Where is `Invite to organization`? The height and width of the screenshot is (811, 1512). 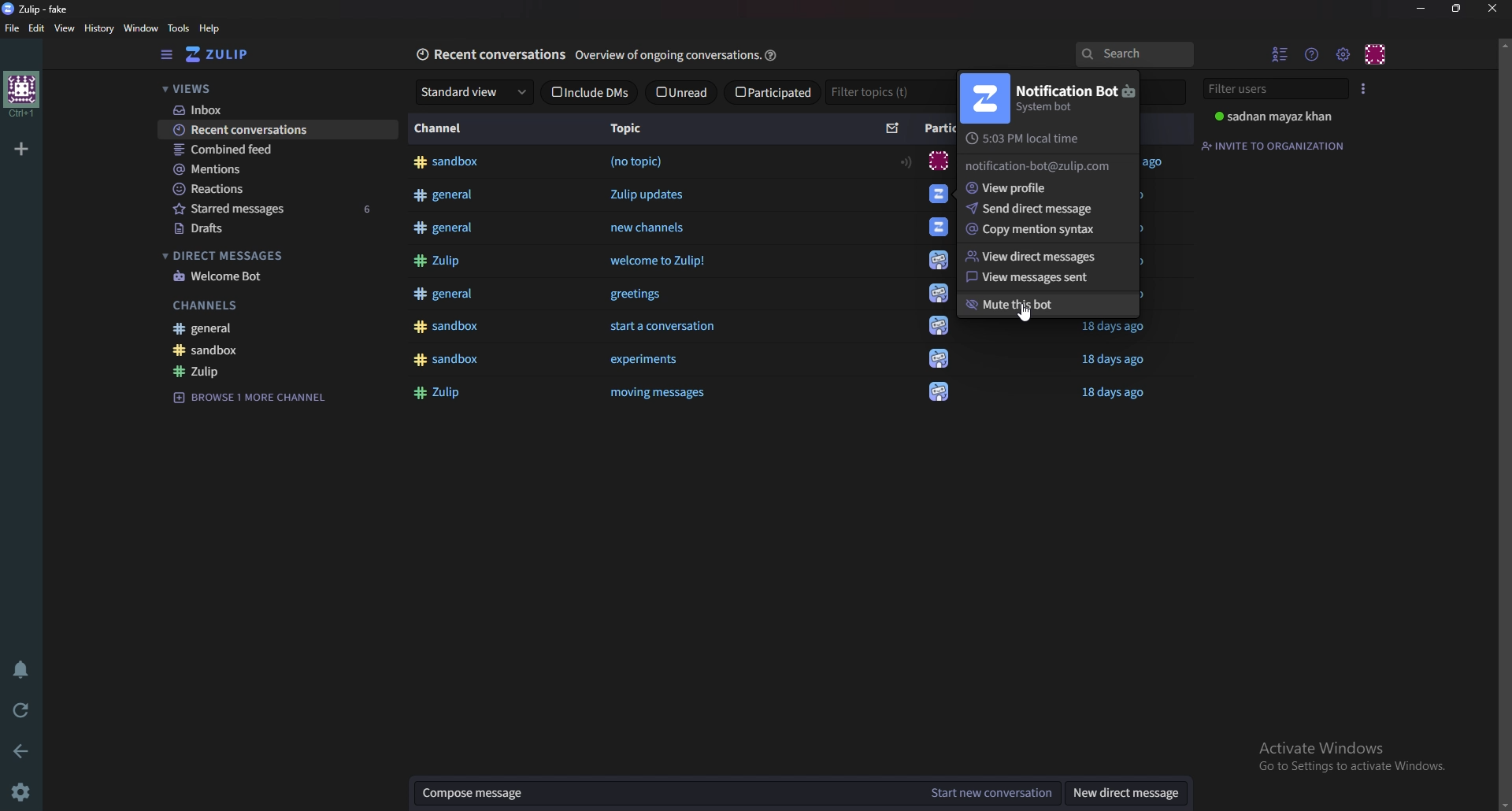
Invite to organization is located at coordinates (1273, 146).